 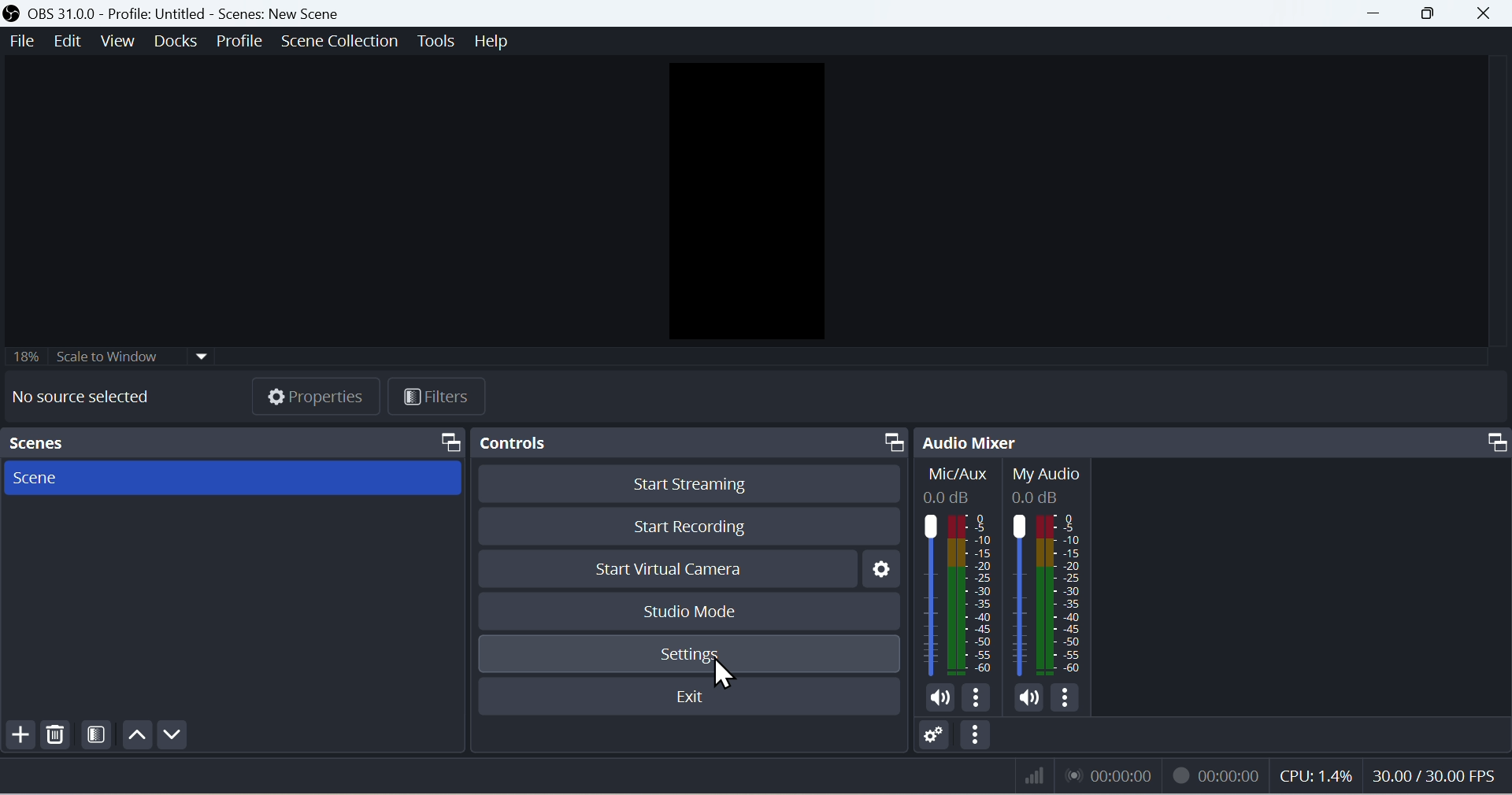 What do you see at coordinates (439, 39) in the screenshot?
I see `Tools` at bounding box center [439, 39].